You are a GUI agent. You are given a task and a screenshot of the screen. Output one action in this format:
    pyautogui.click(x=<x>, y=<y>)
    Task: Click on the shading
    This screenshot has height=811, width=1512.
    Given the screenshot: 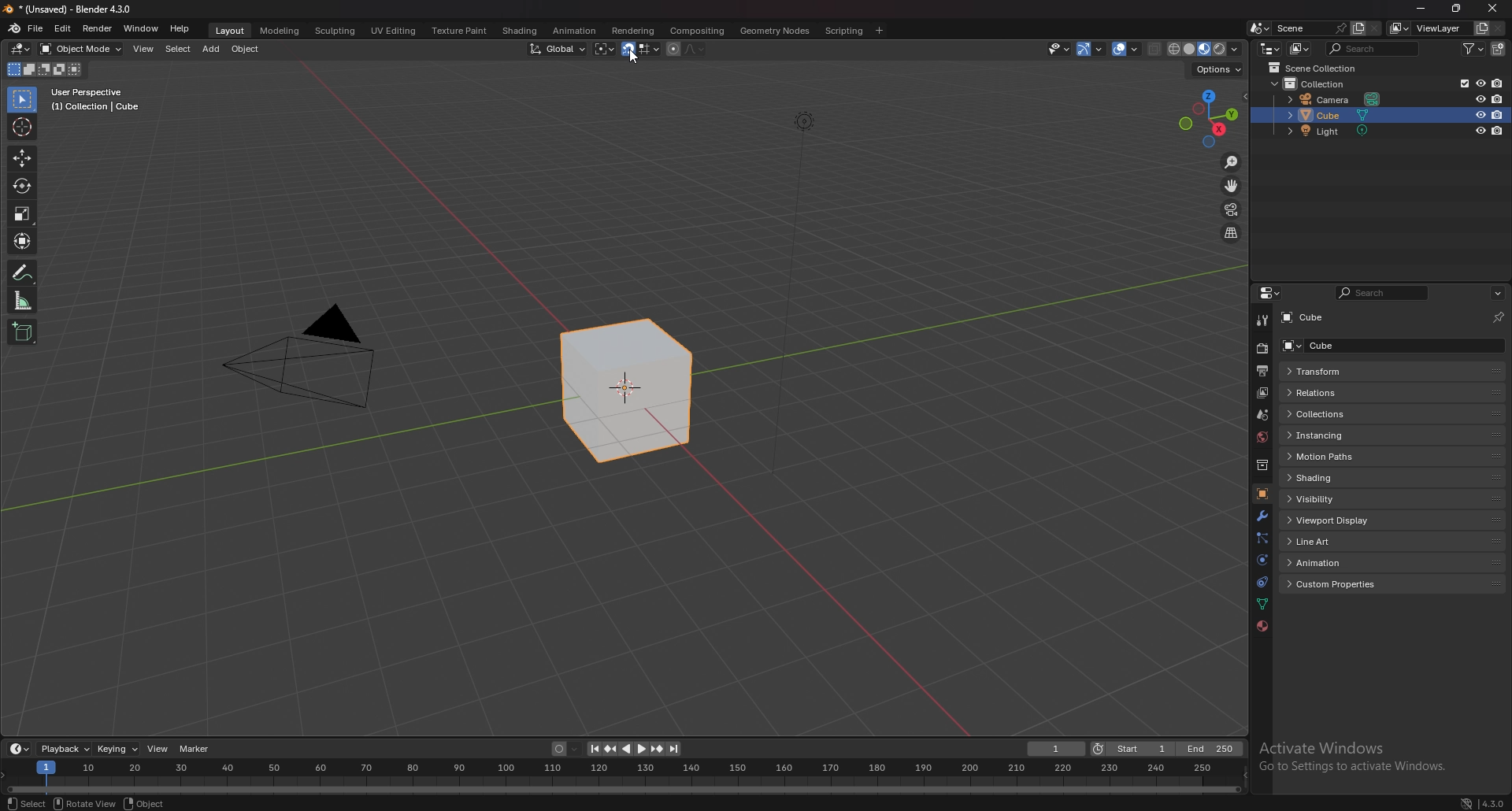 What is the action you would take?
    pyautogui.click(x=519, y=31)
    